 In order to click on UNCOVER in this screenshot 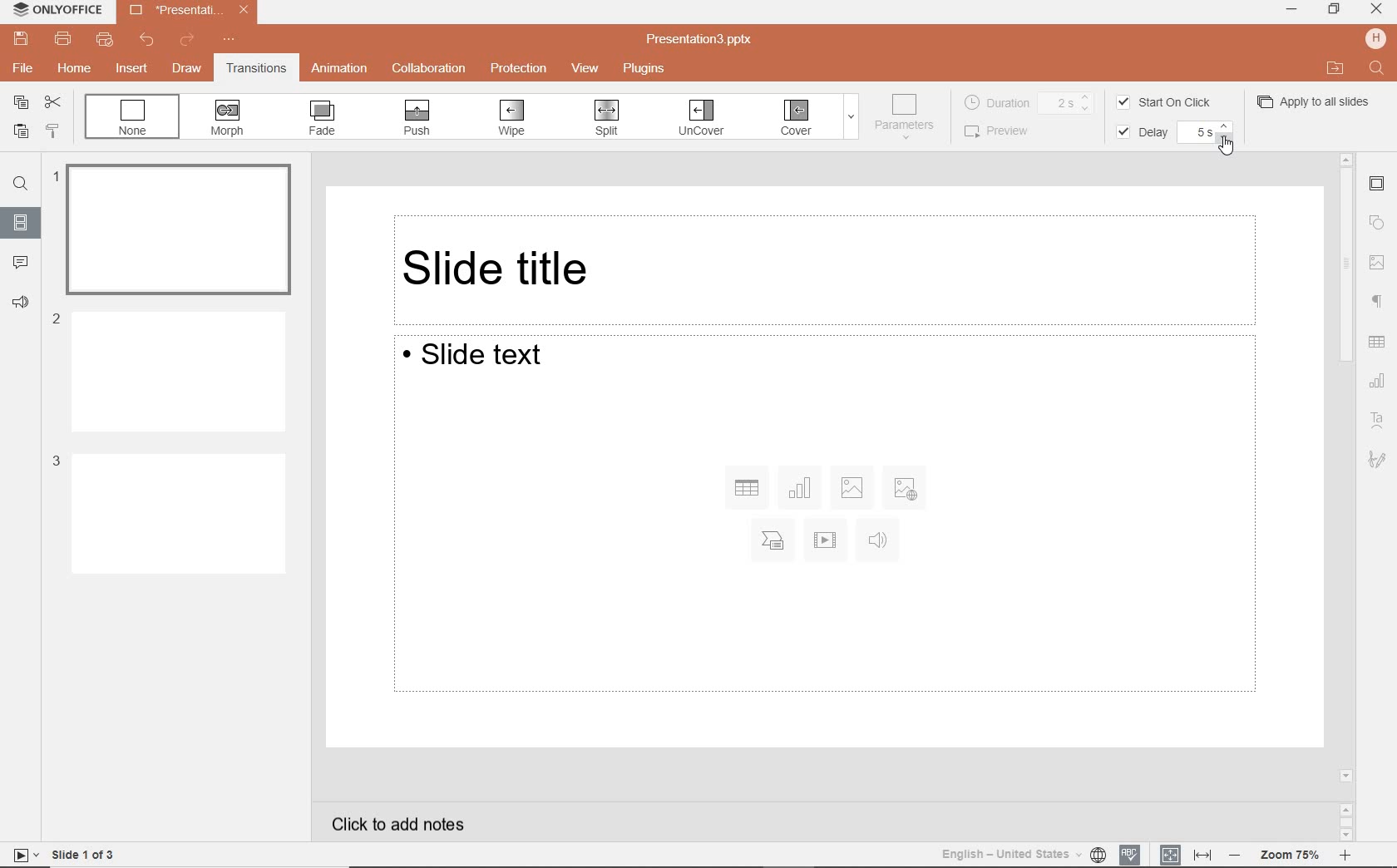, I will do `click(700, 121)`.